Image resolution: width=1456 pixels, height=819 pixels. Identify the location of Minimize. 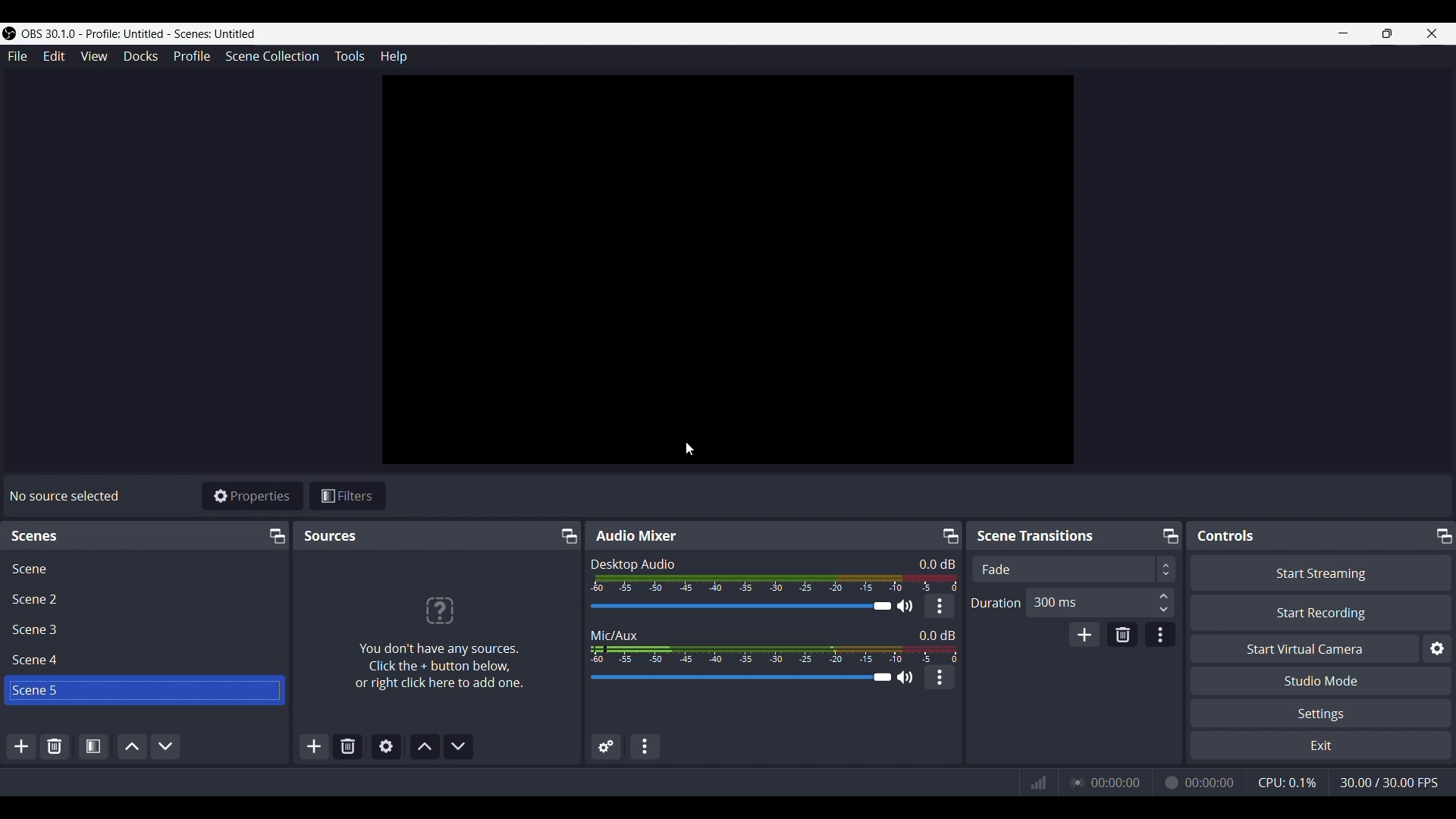
(1170, 536).